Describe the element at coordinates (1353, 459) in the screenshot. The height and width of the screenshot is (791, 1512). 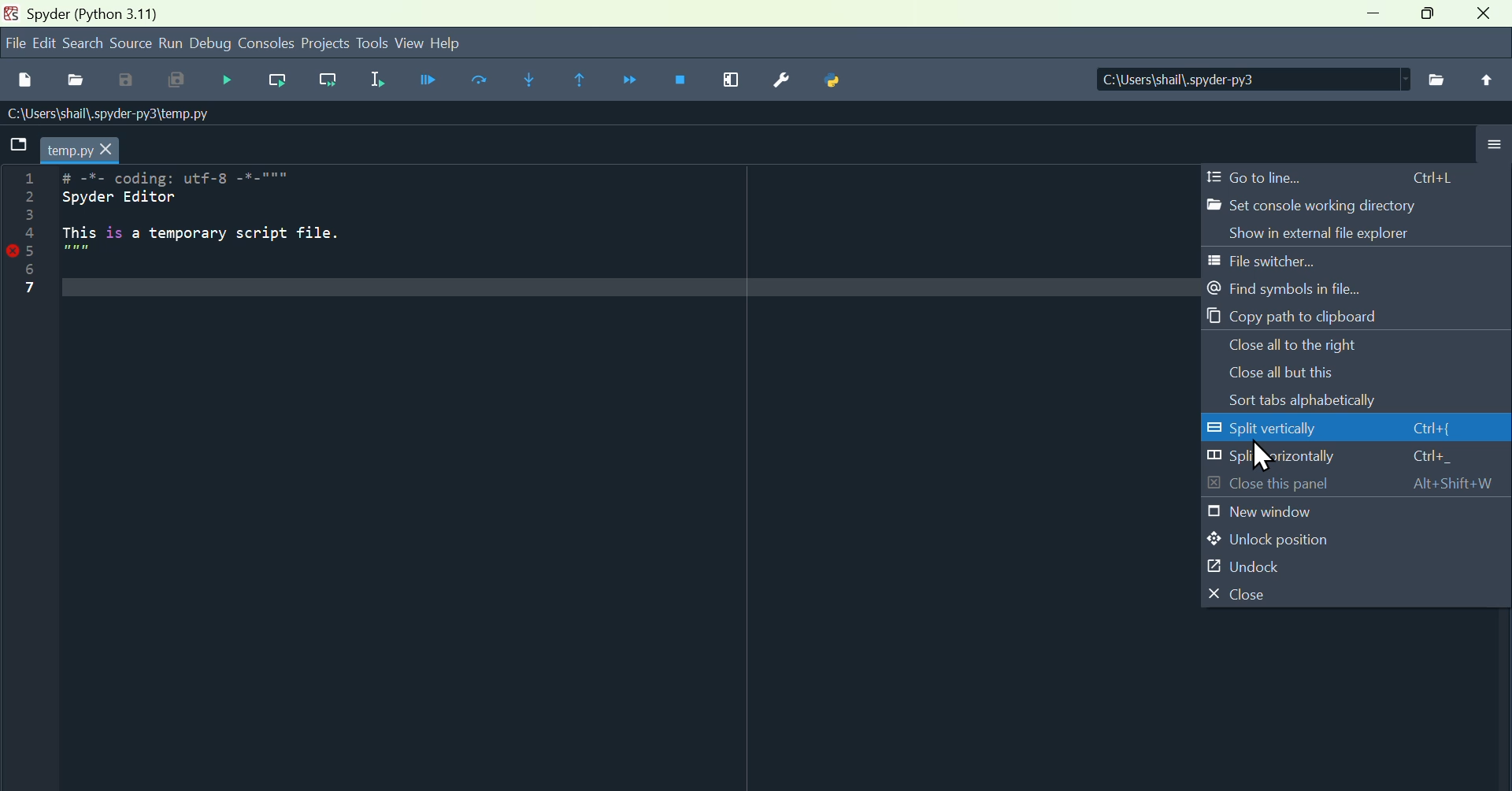
I see `Split horizontally` at that location.